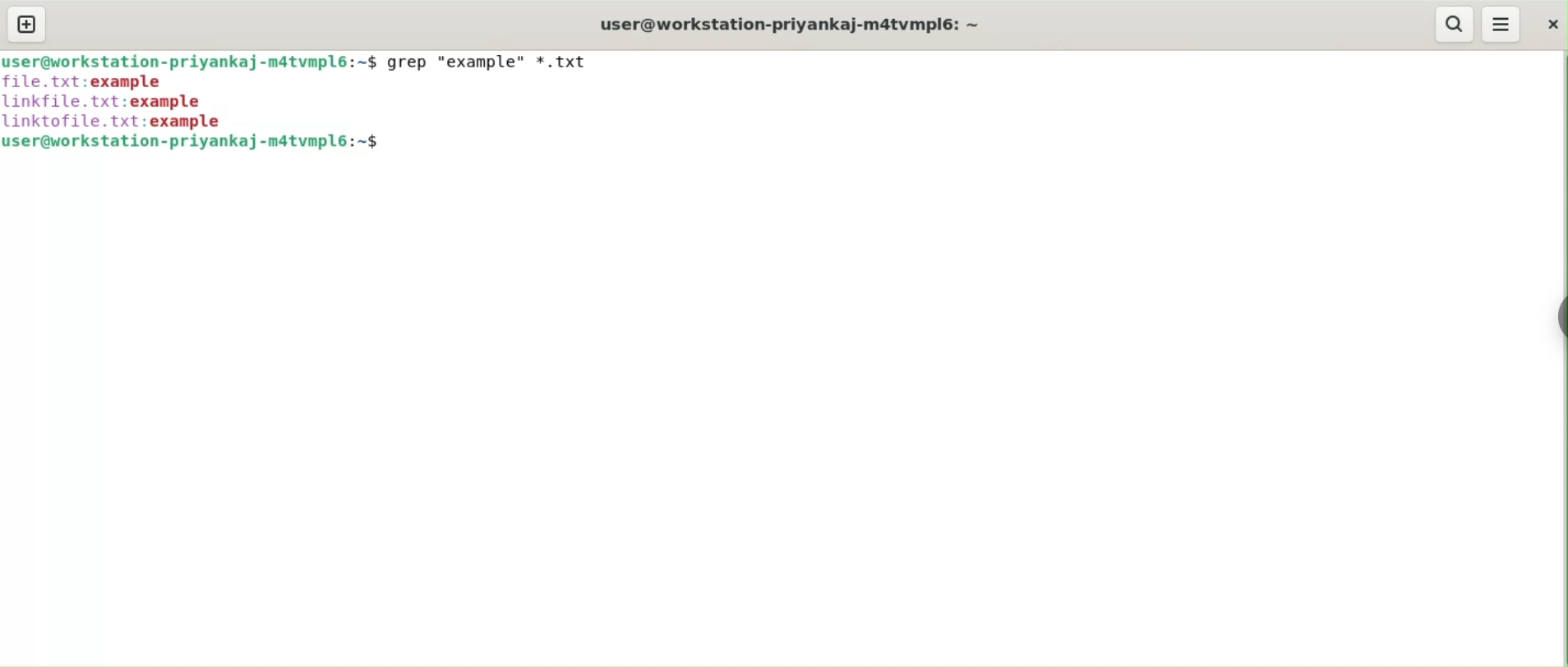  What do you see at coordinates (1560, 315) in the screenshot?
I see `sidebar` at bounding box center [1560, 315].